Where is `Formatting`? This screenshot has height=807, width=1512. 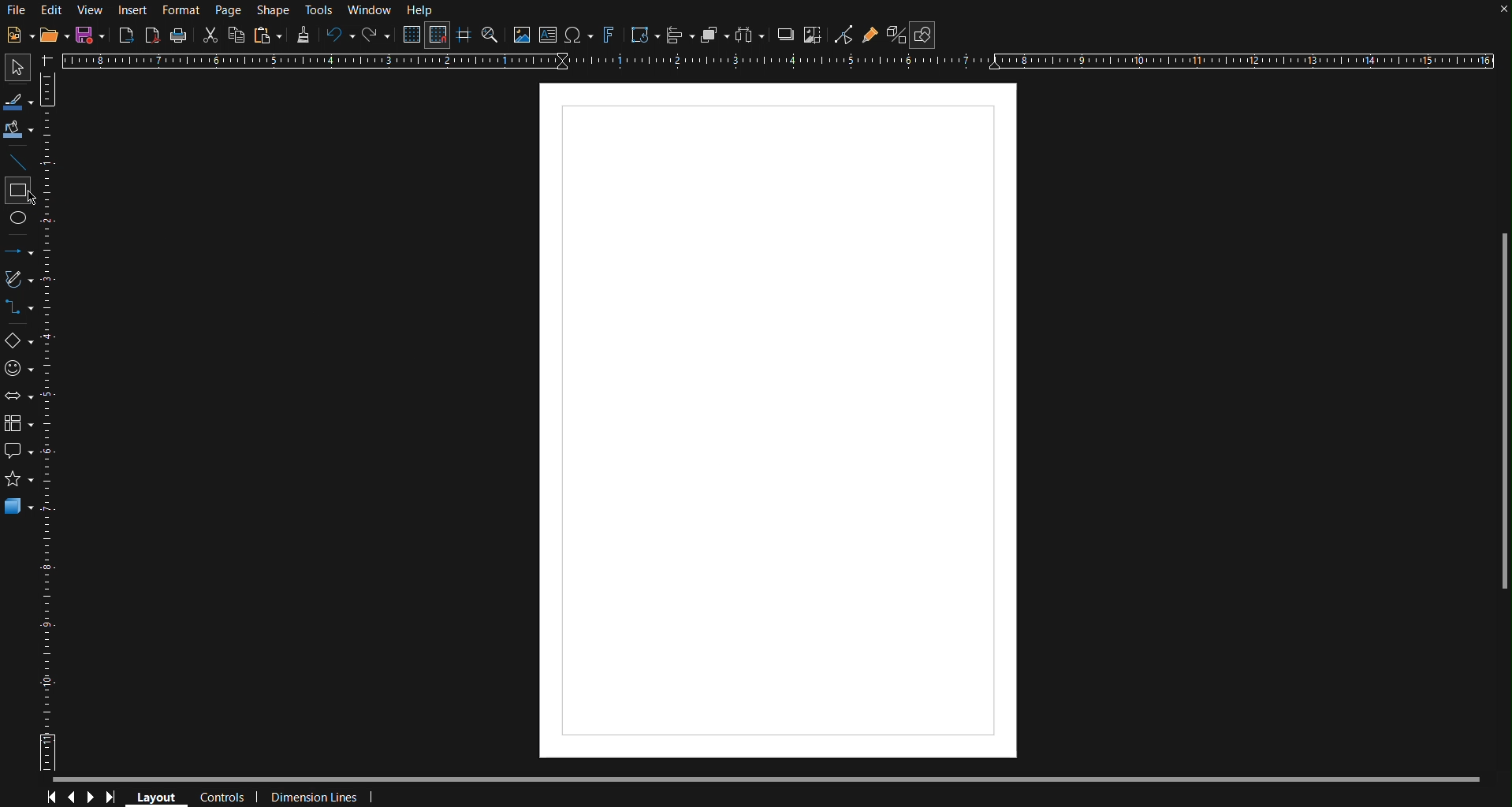
Formatting is located at coordinates (302, 35).